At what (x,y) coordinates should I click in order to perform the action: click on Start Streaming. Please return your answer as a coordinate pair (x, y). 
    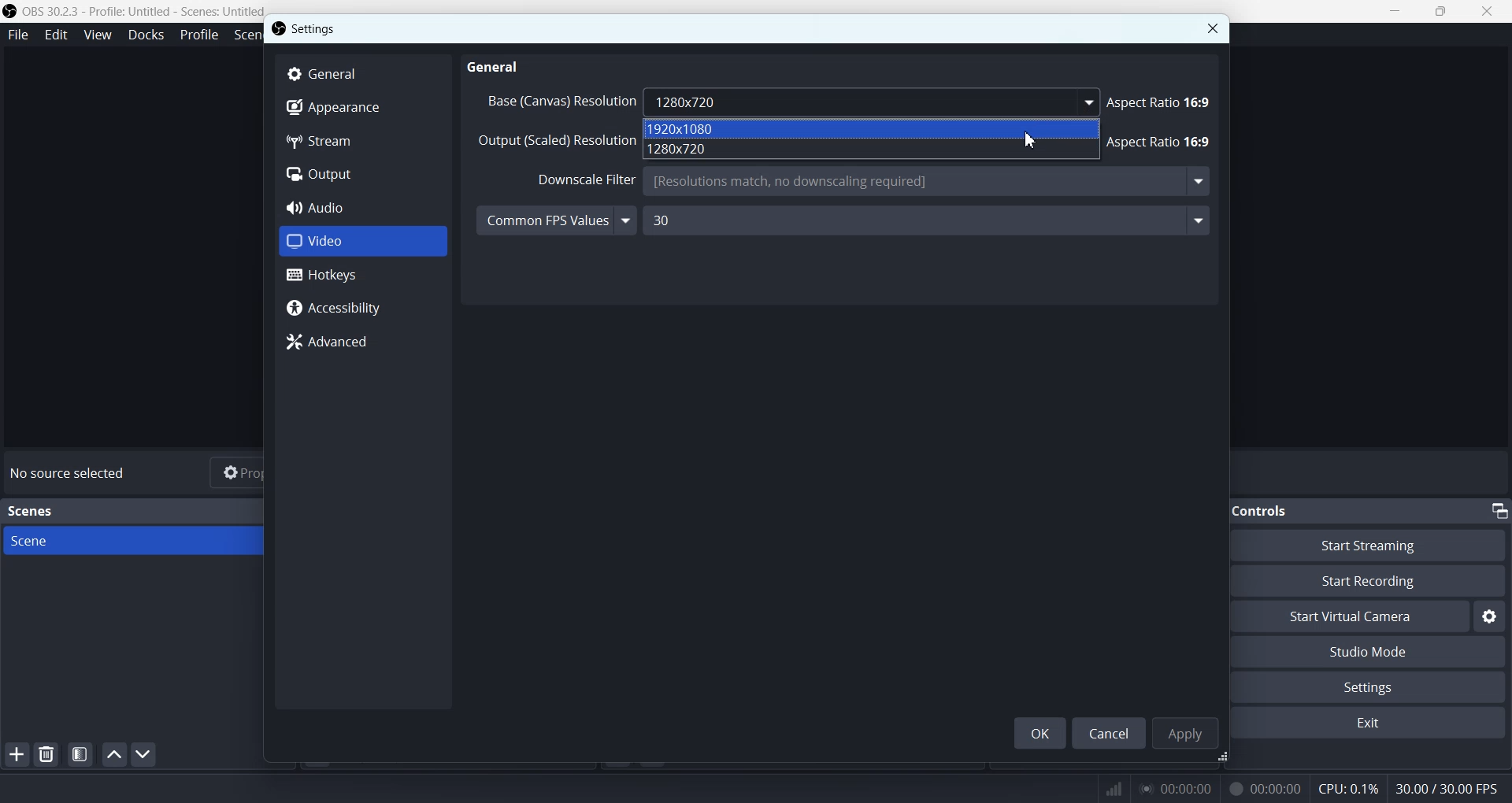
    Looking at the image, I should click on (1381, 544).